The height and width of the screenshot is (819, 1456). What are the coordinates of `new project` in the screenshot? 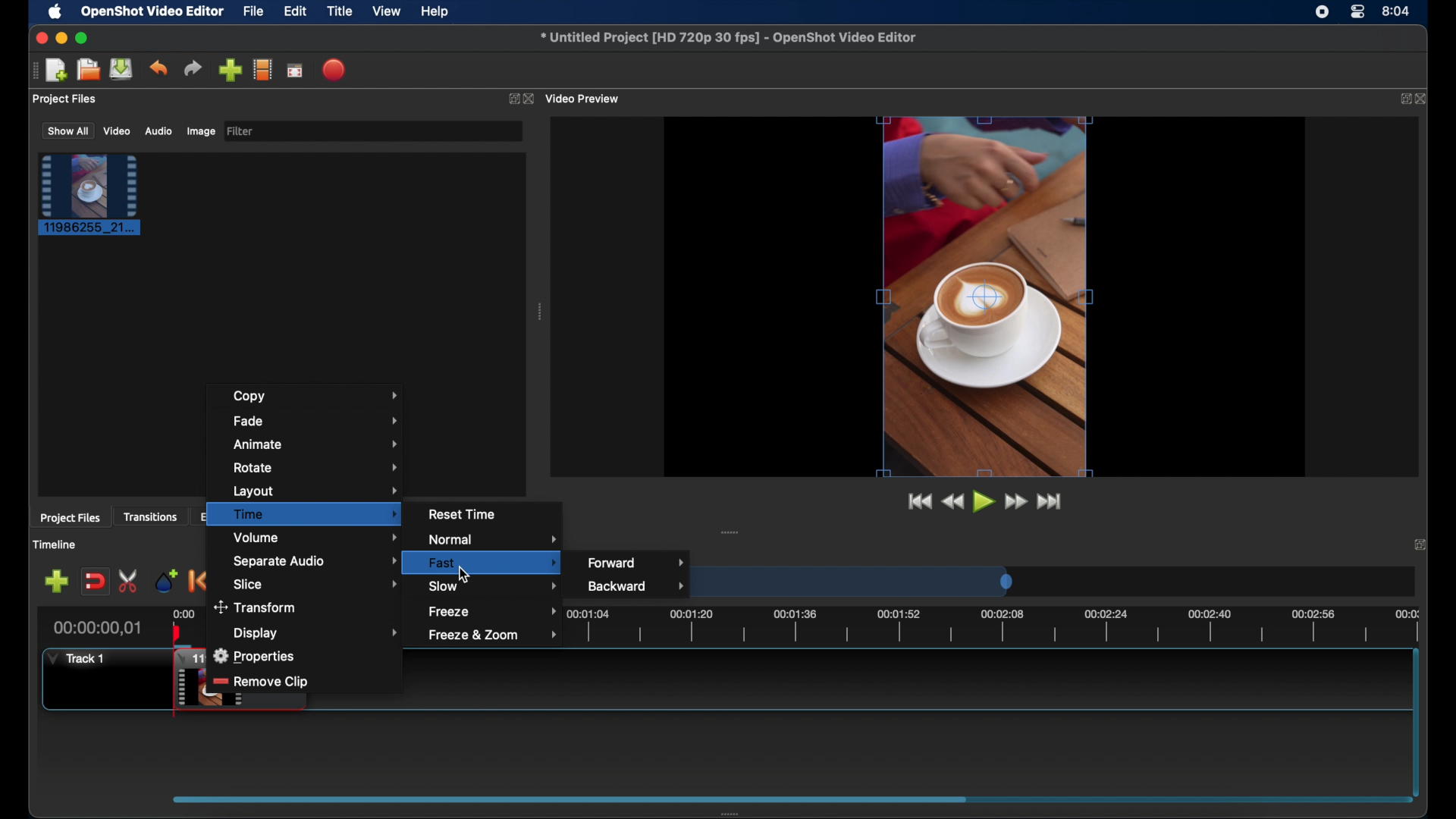 It's located at (58, 69).